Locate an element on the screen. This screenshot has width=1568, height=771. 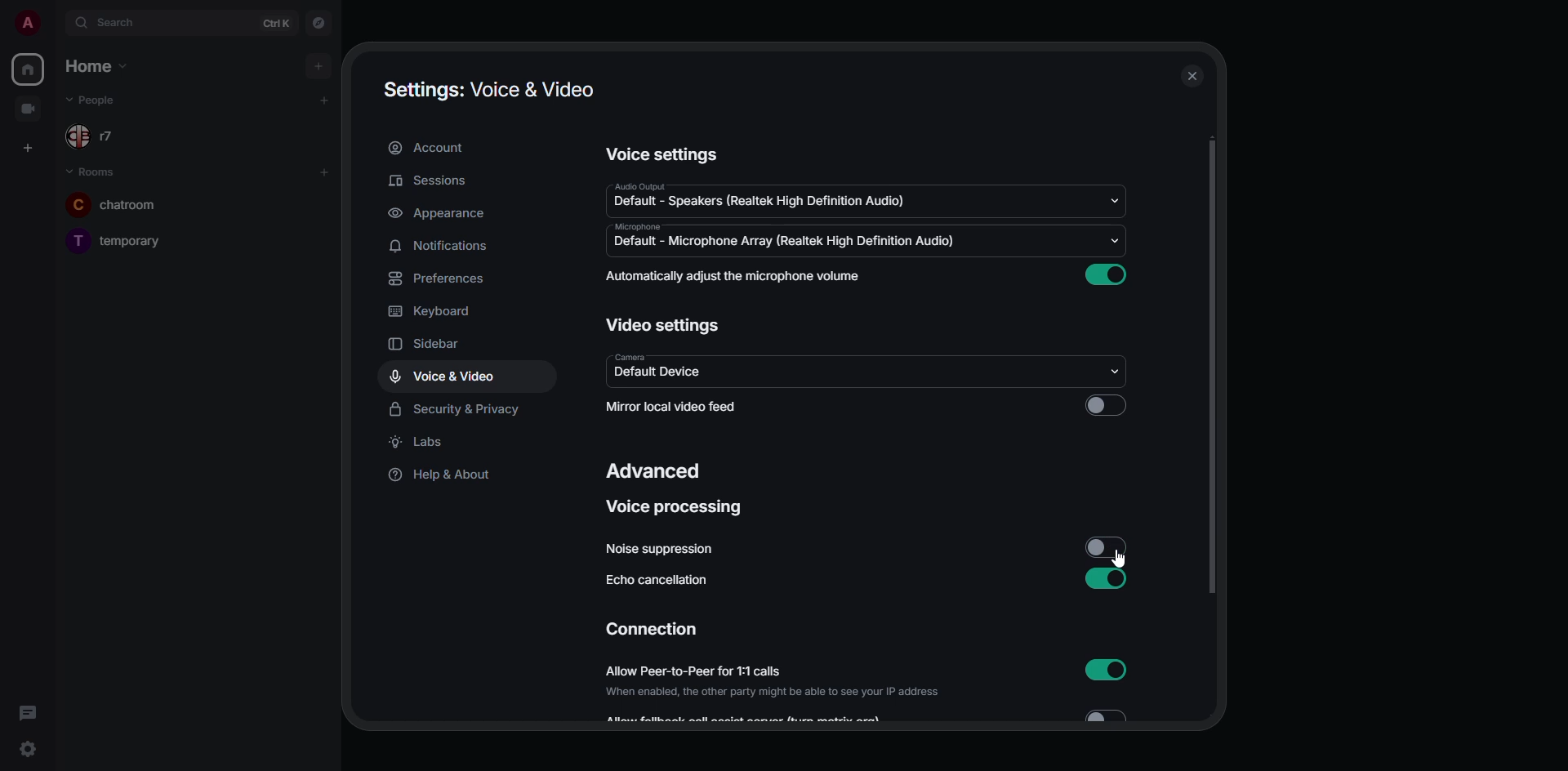
connection is located at coordinates (653, 628).